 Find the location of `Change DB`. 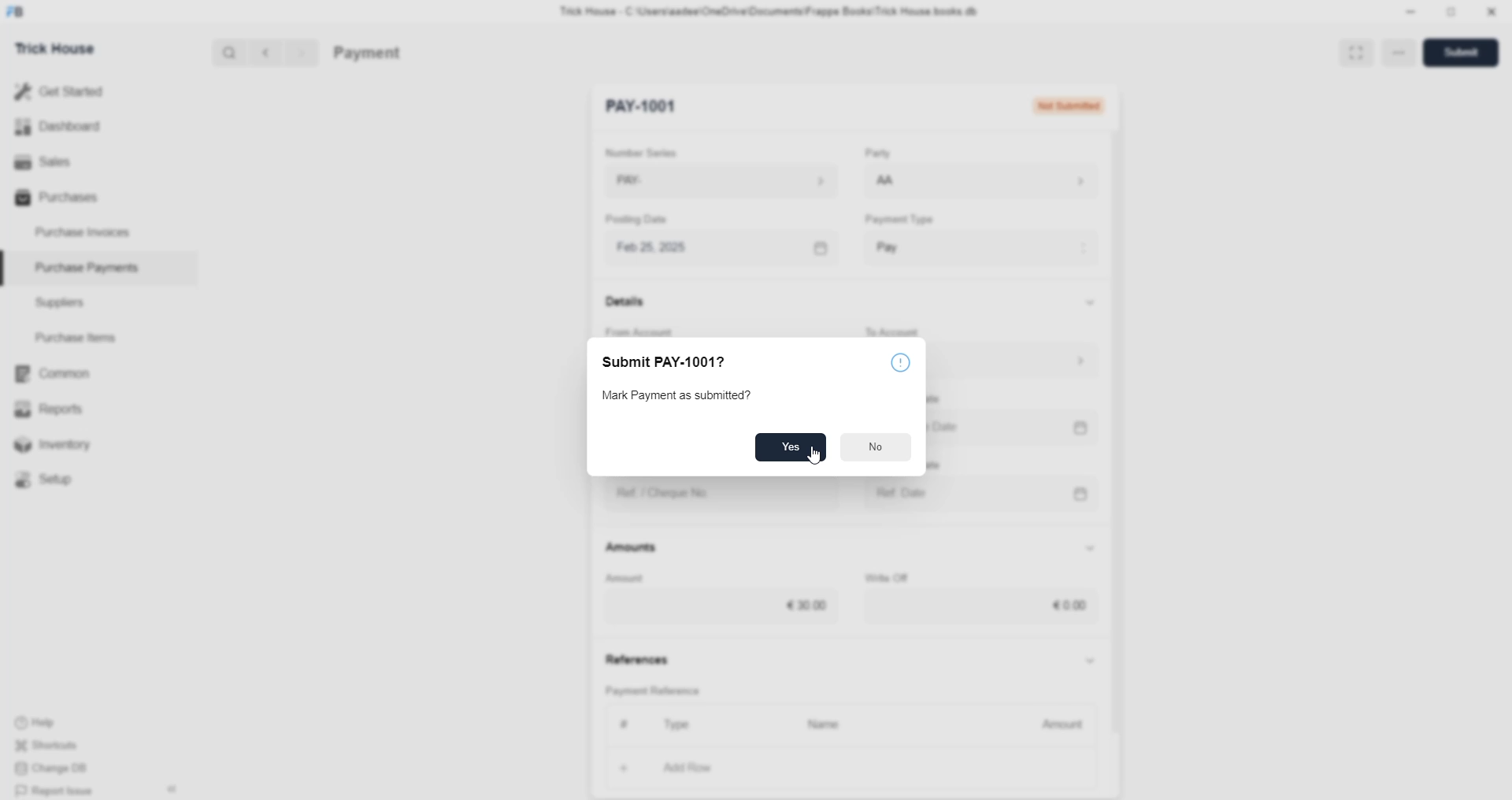

Change DB is located at coordinates (60, 769).